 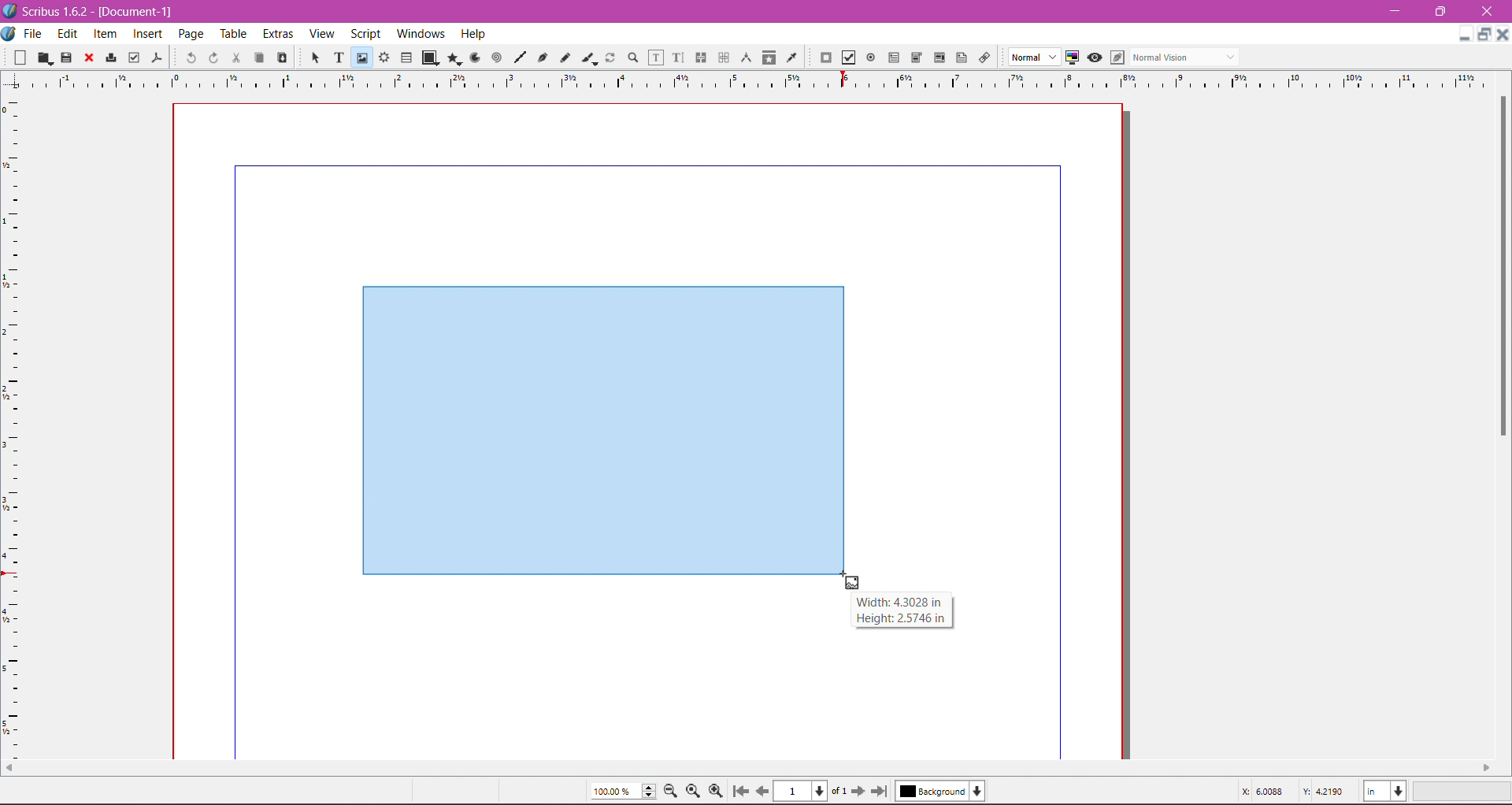 What do you see at coordinates (917, 57) in the screenshot?
I see `PDF Combo Box` at bounding box center [917, 57].